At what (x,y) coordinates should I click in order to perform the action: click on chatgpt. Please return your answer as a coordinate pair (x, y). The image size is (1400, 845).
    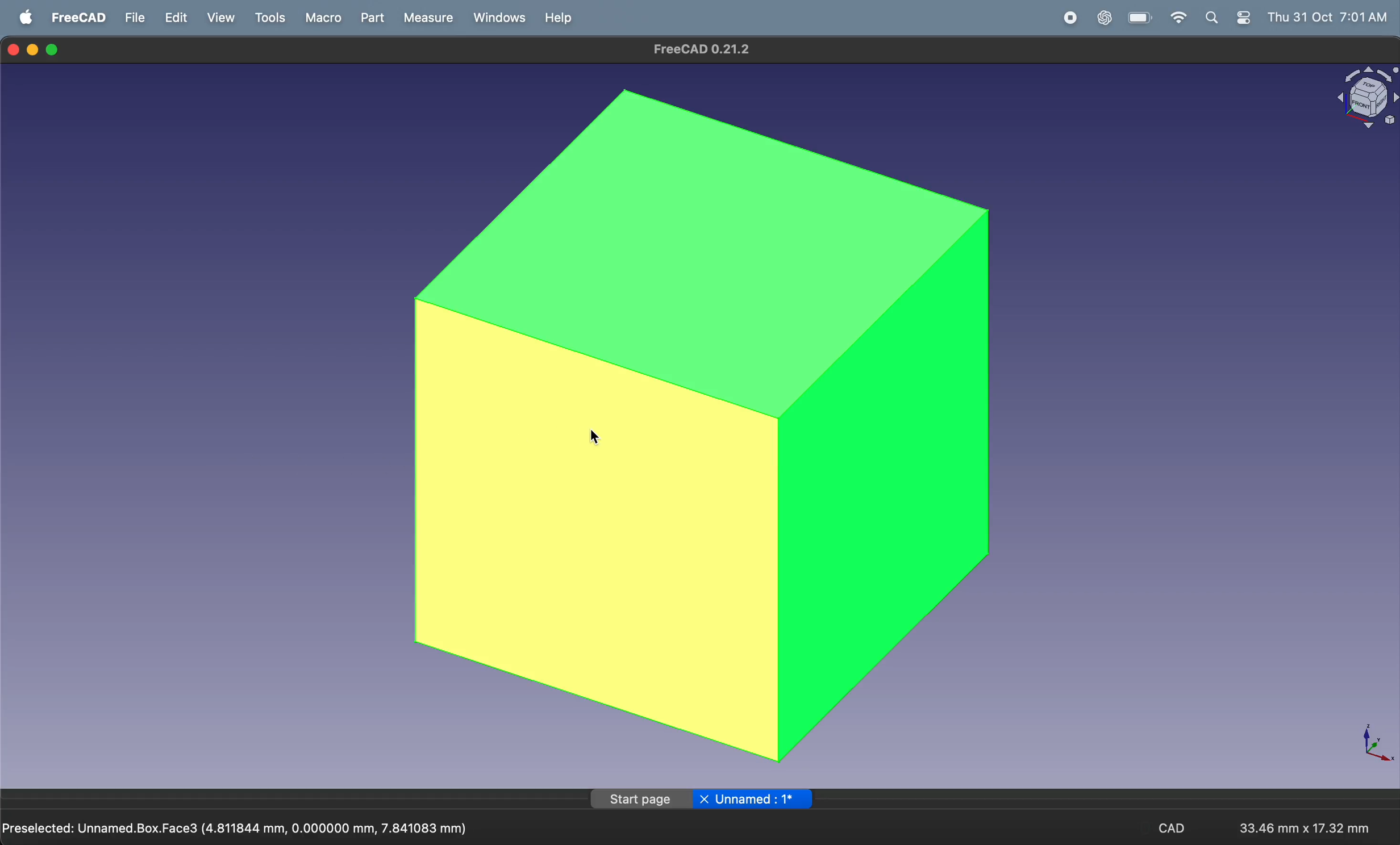
    Looking at the image, I should click on (1103, 19).